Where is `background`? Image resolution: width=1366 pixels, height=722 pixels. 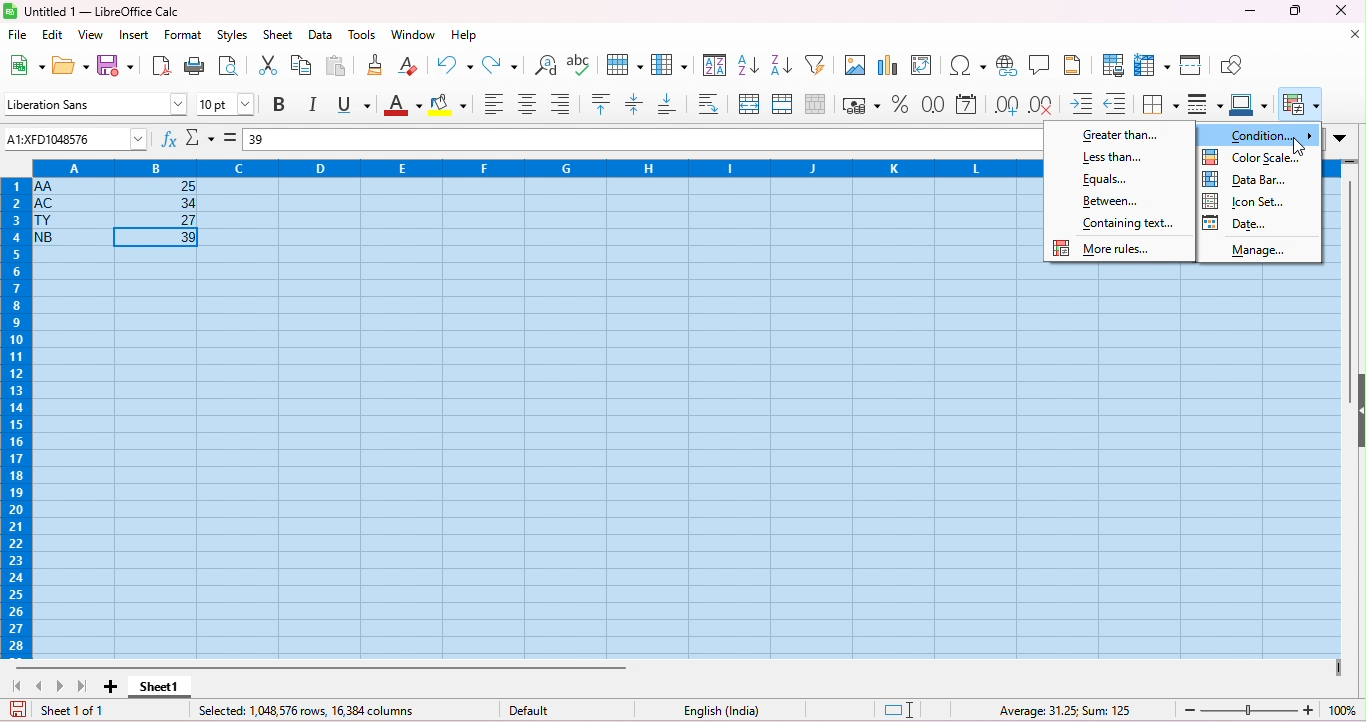
background is located at coordinates (449, 106).